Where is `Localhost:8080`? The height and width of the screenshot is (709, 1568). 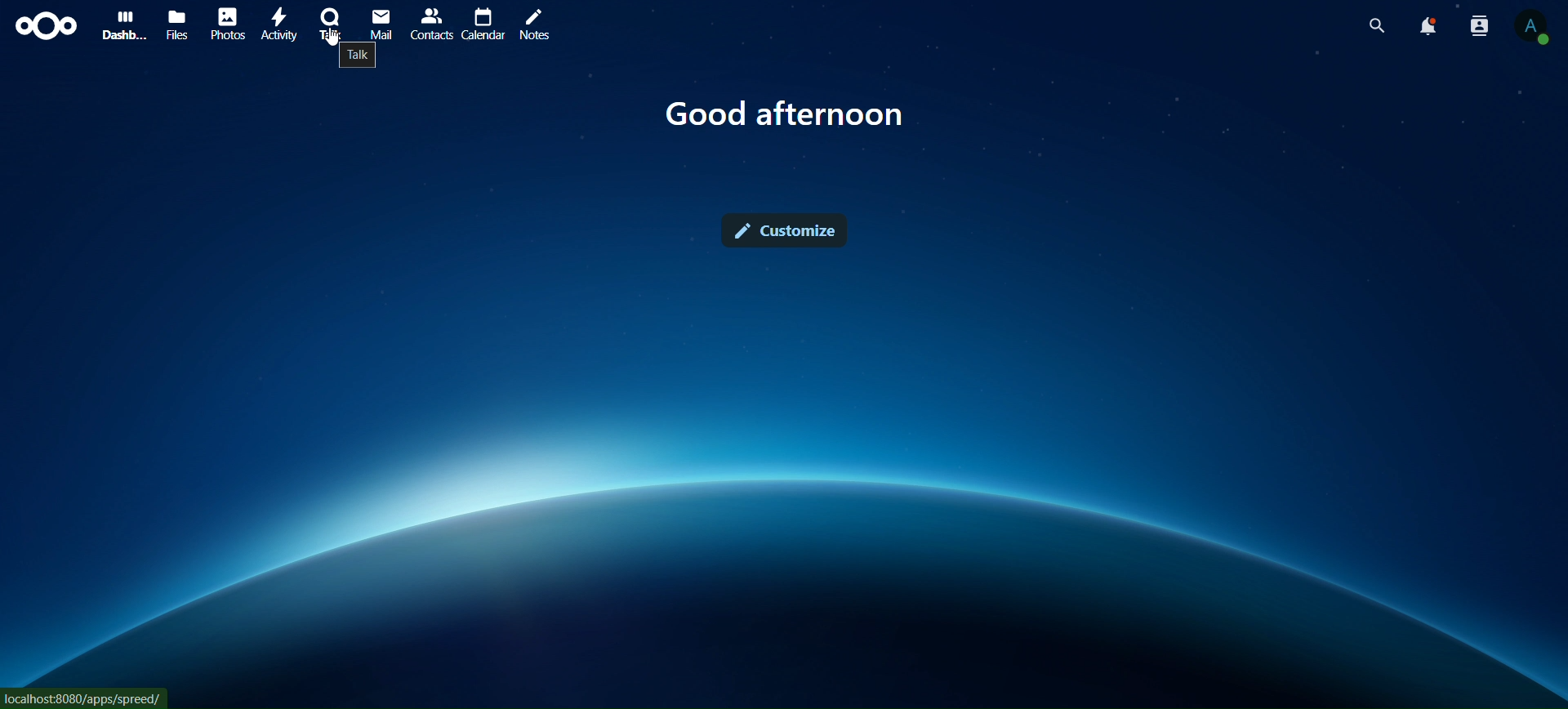 Localhost:8080 is located at coordinates (87, 698).